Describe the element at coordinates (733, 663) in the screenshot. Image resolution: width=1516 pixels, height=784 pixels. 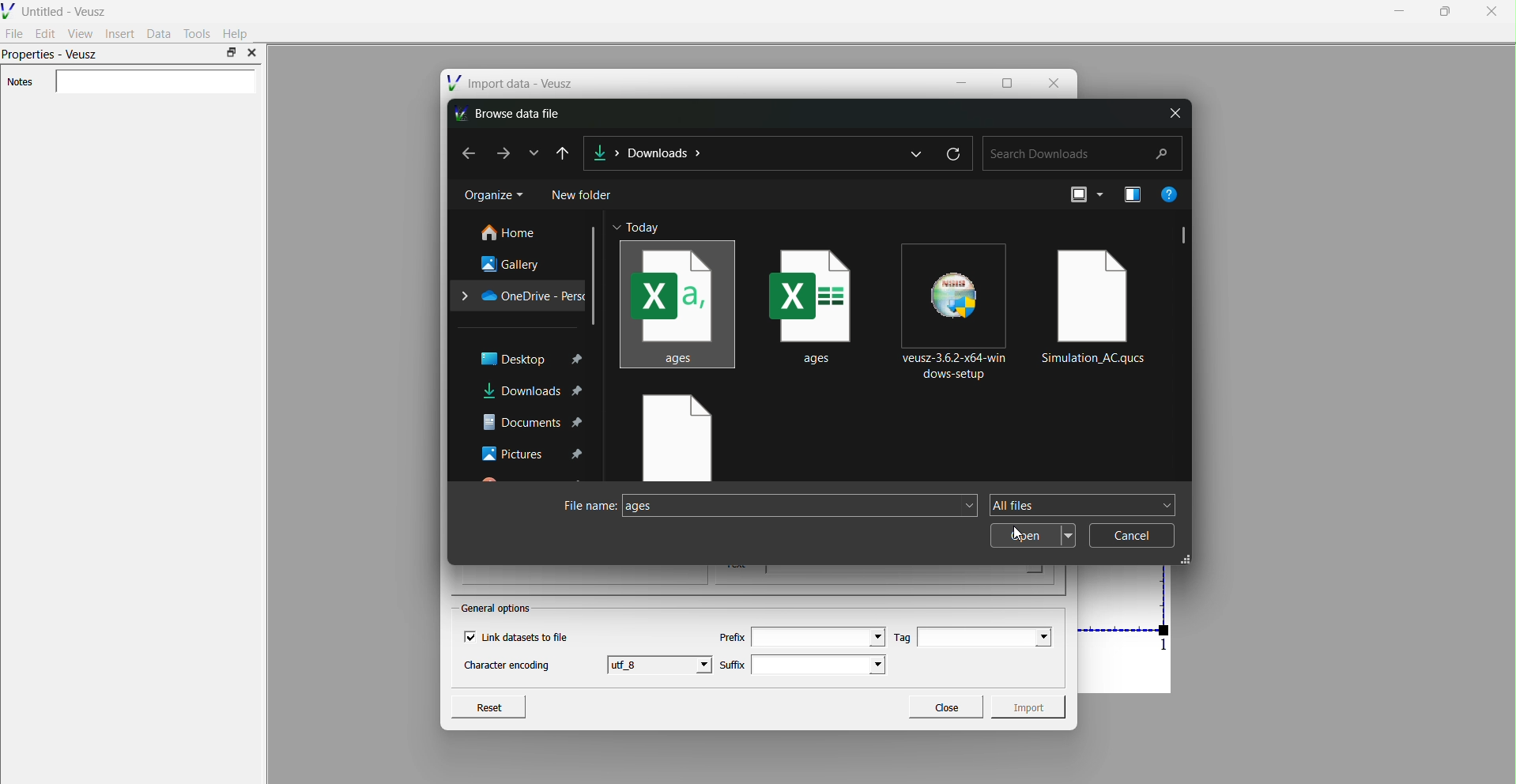
I see `Suffix` at that location.